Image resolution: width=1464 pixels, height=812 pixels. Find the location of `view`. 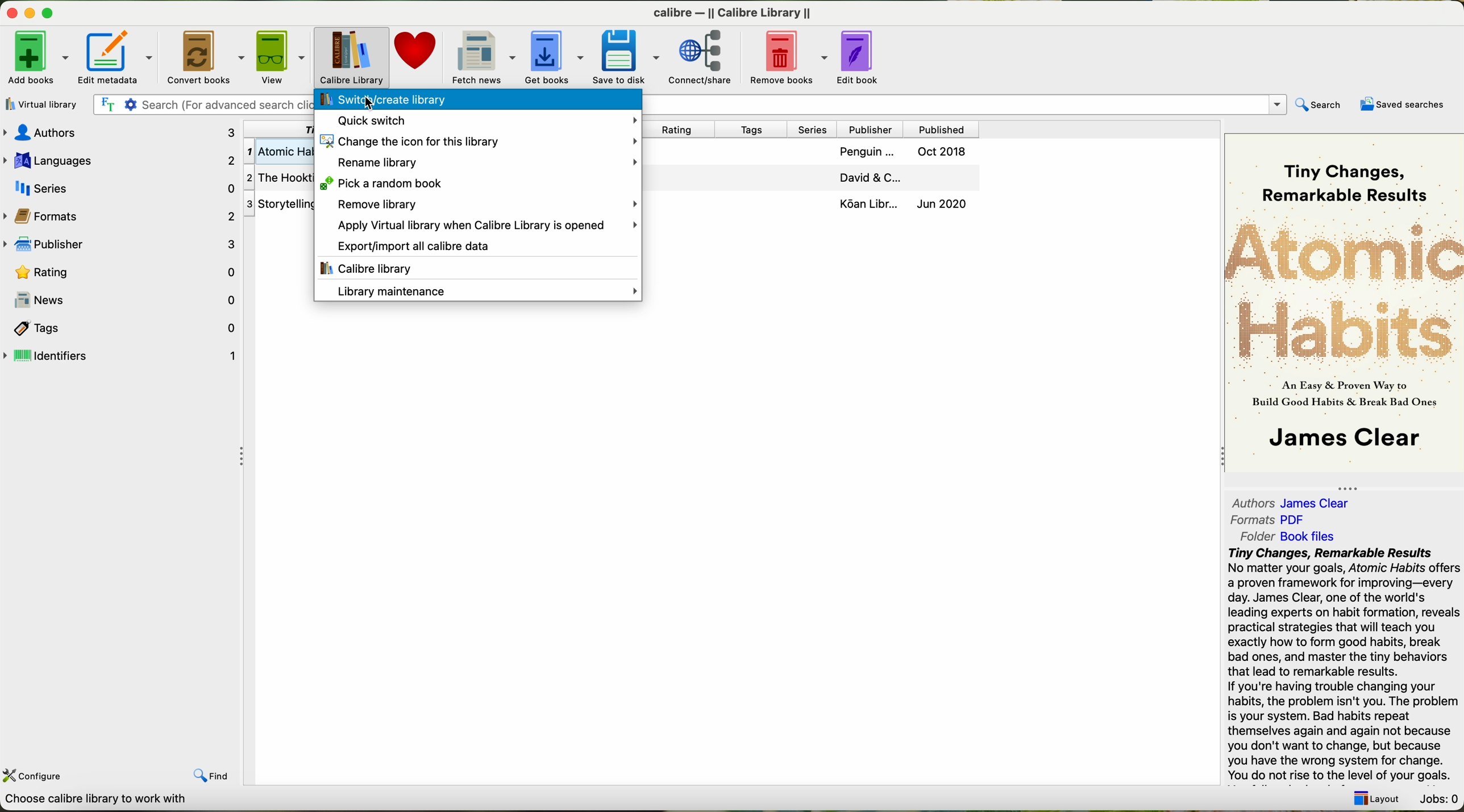

view is located at coordinates (282, 56).